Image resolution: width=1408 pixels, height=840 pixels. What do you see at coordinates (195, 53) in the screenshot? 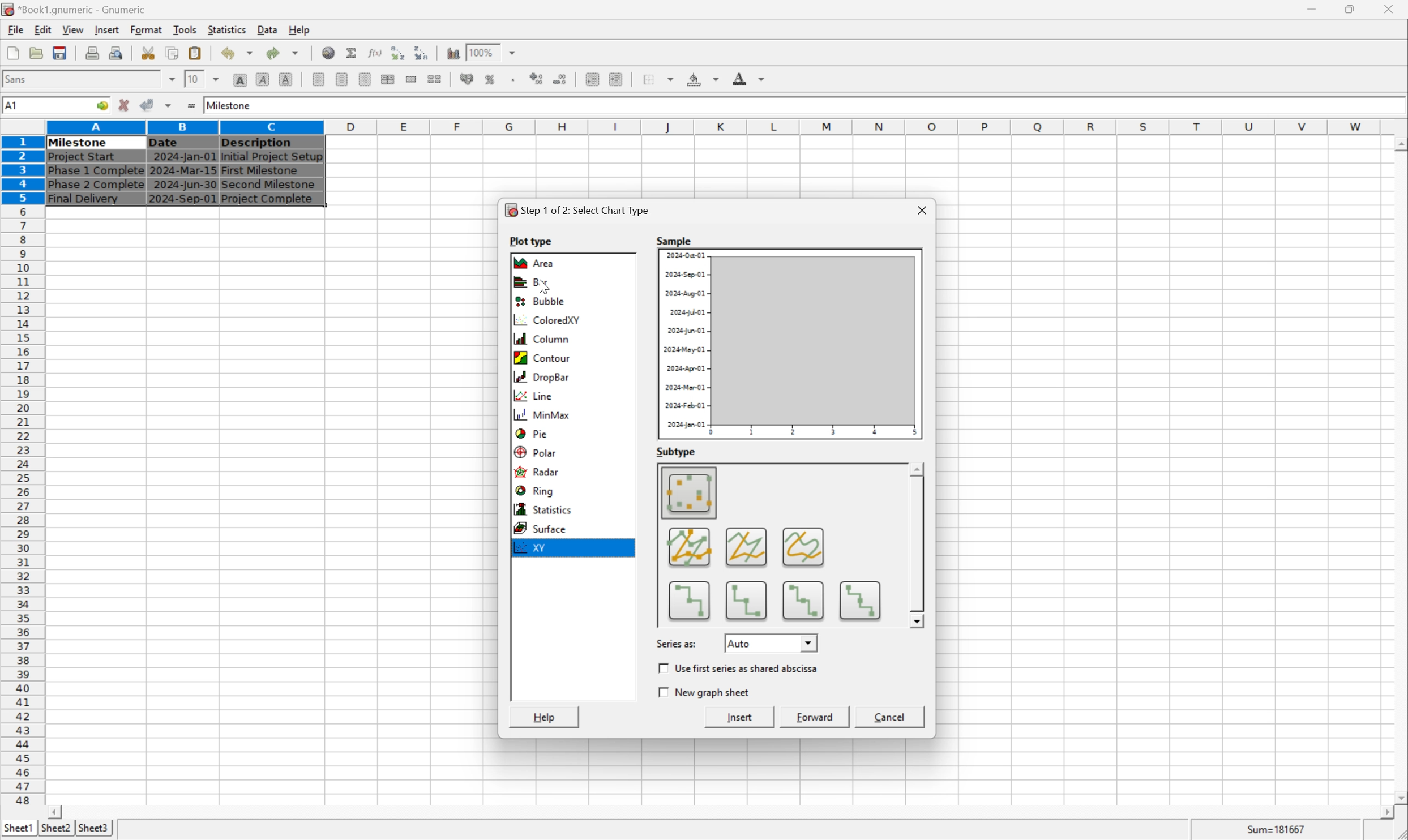
I see `paste` at bounding box center [195, 53].